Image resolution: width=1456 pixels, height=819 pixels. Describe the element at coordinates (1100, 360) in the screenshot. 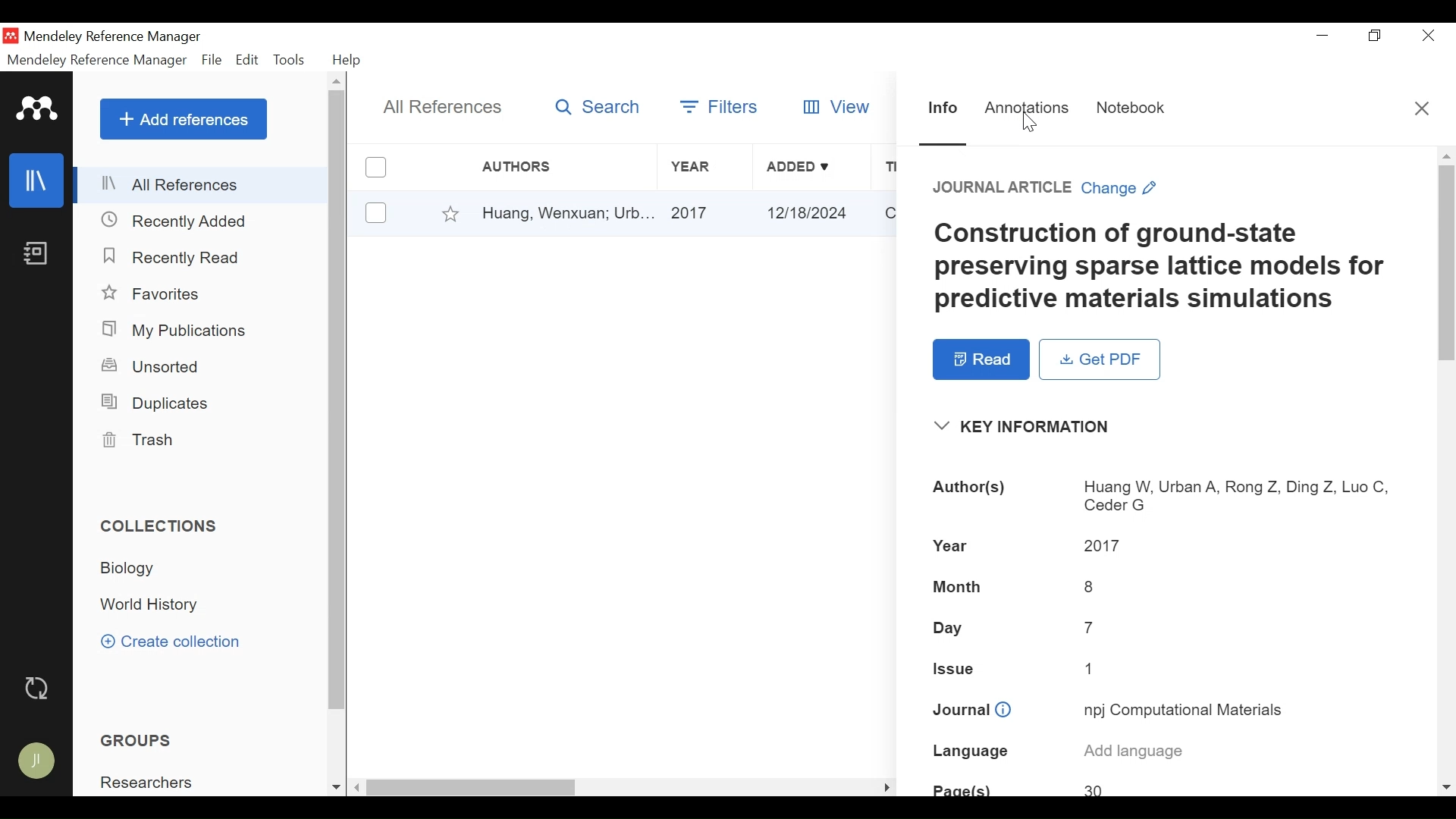

I see `Get PDF` at that location.